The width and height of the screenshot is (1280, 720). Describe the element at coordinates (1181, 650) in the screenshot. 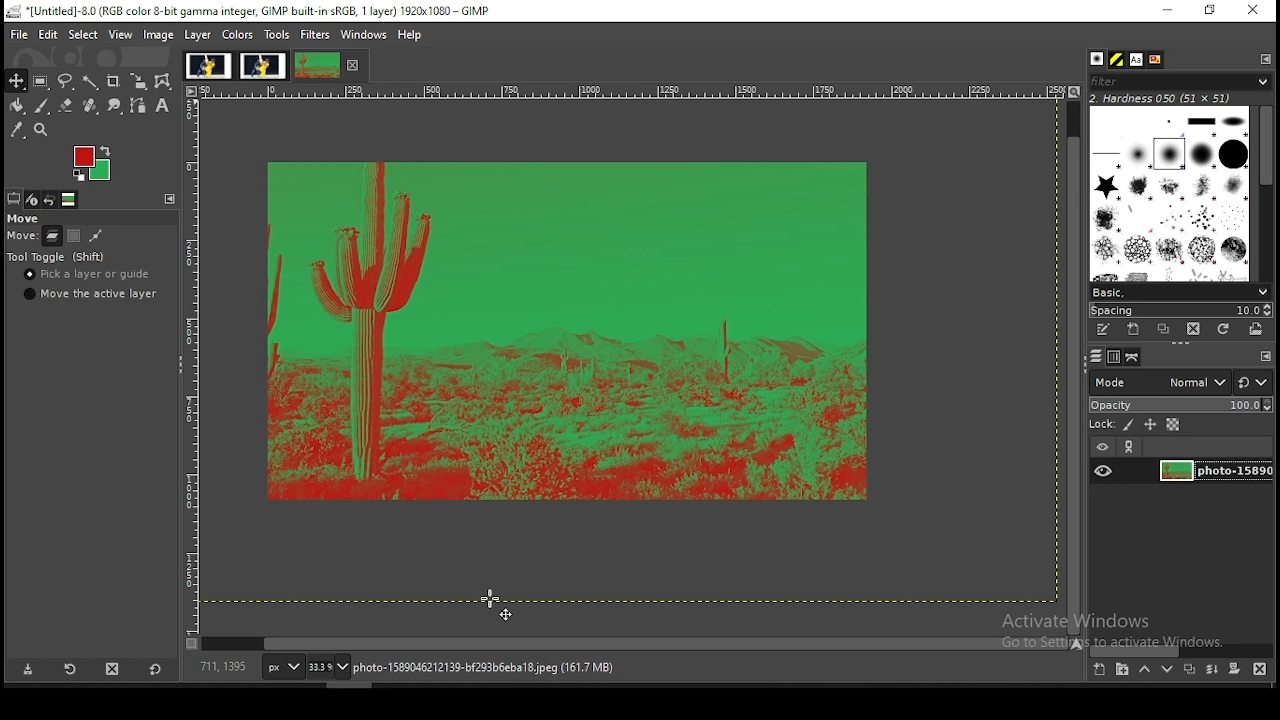

I see `scroll bar` at that location.